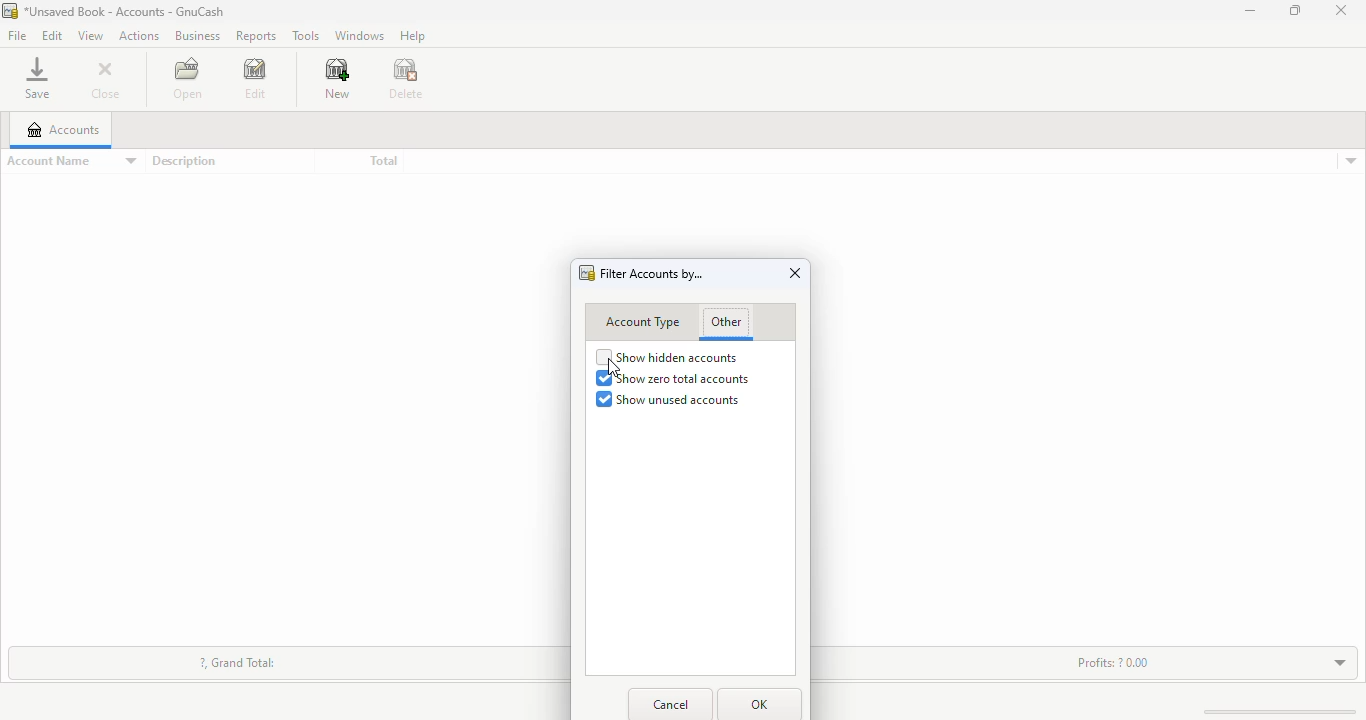  What do you see at coordinates (1295, 10) in the screenshot?
I see `maximize` at bounding box center [1295, 10].